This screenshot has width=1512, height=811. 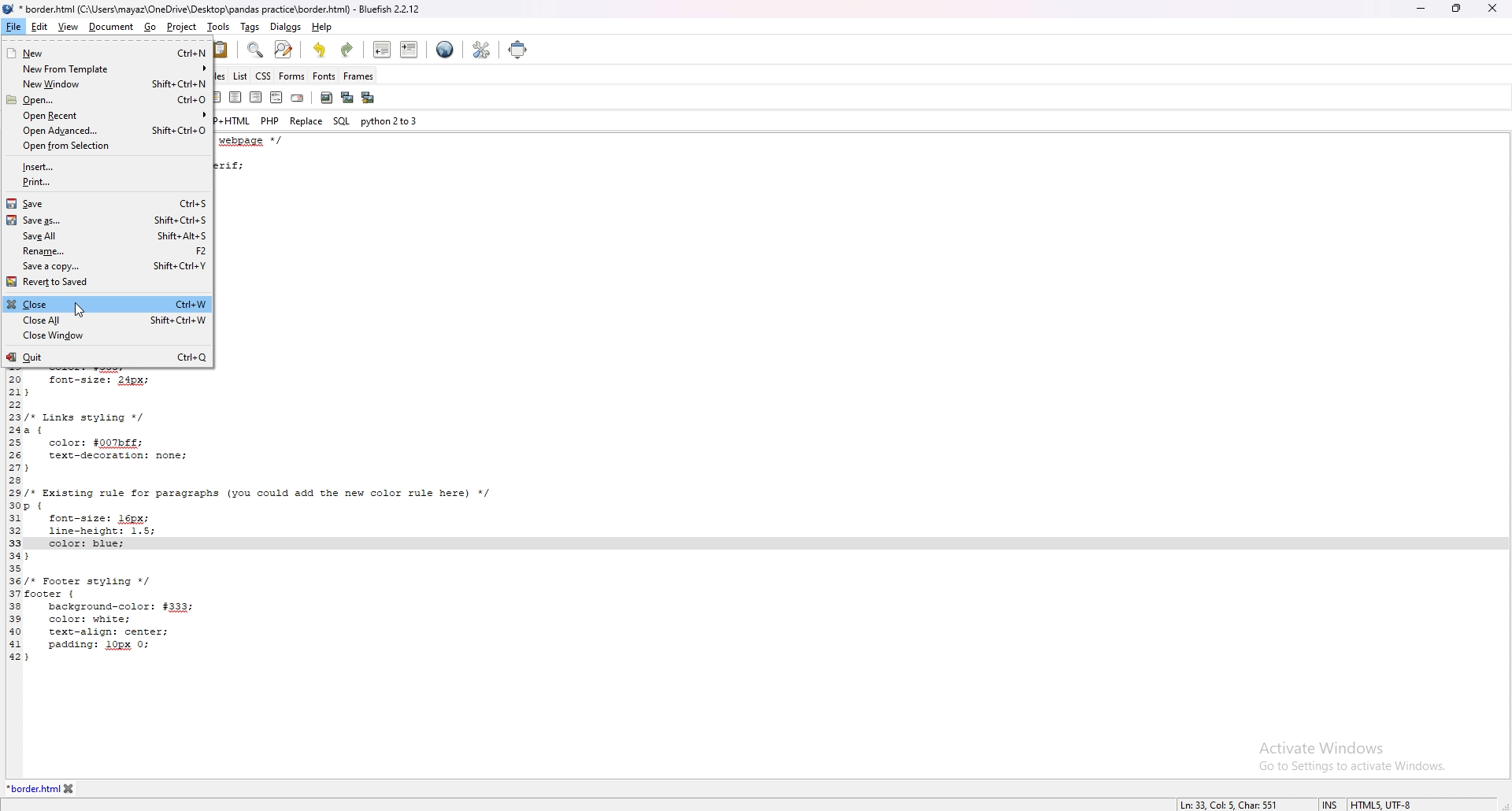 What do you see at coordinates (212, 9) in the screenshot?
I see `file name` at bounding box center [212, 9].